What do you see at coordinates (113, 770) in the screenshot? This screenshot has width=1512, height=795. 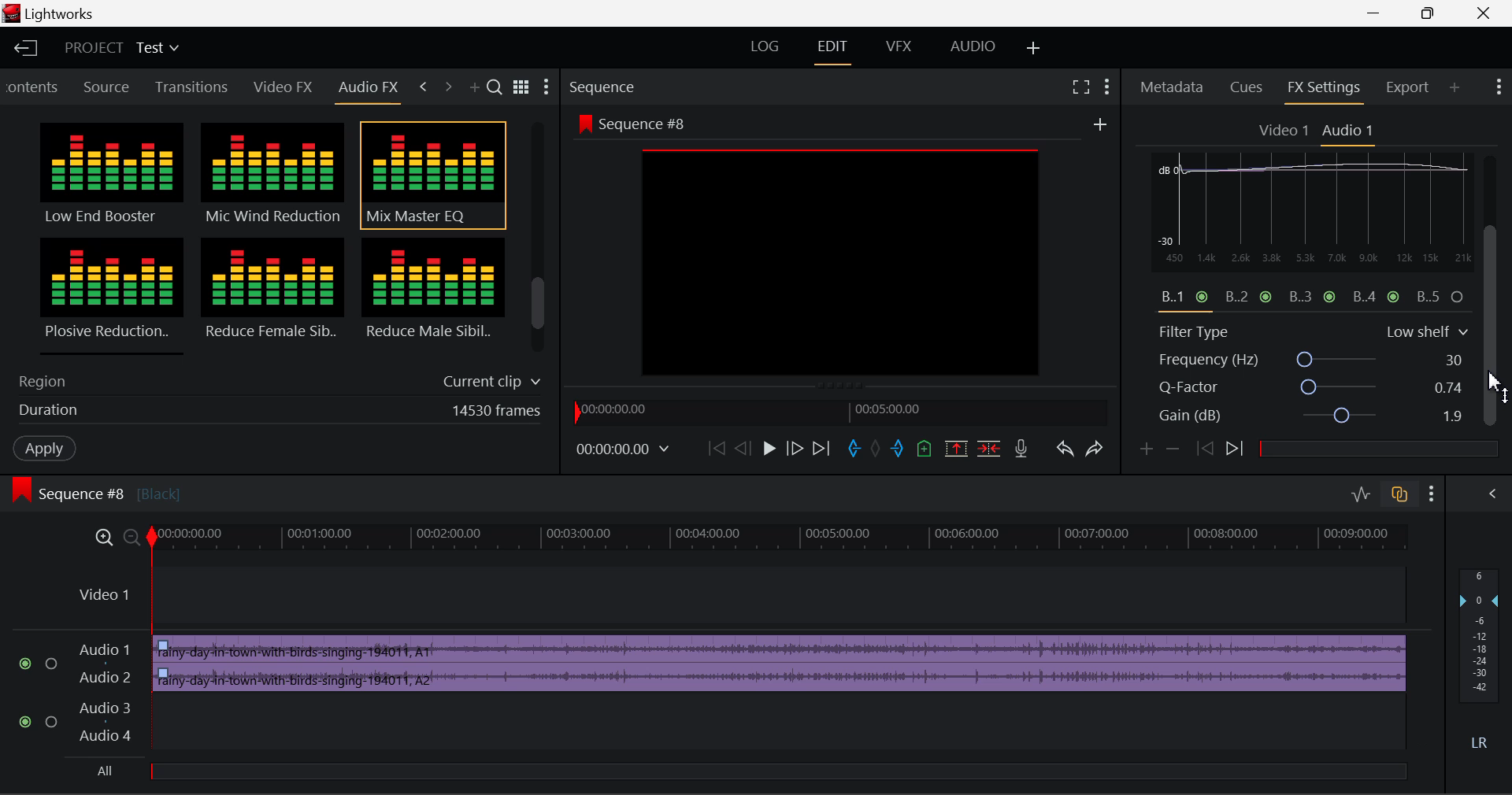 I see `All` at bounding box center [113, 770].